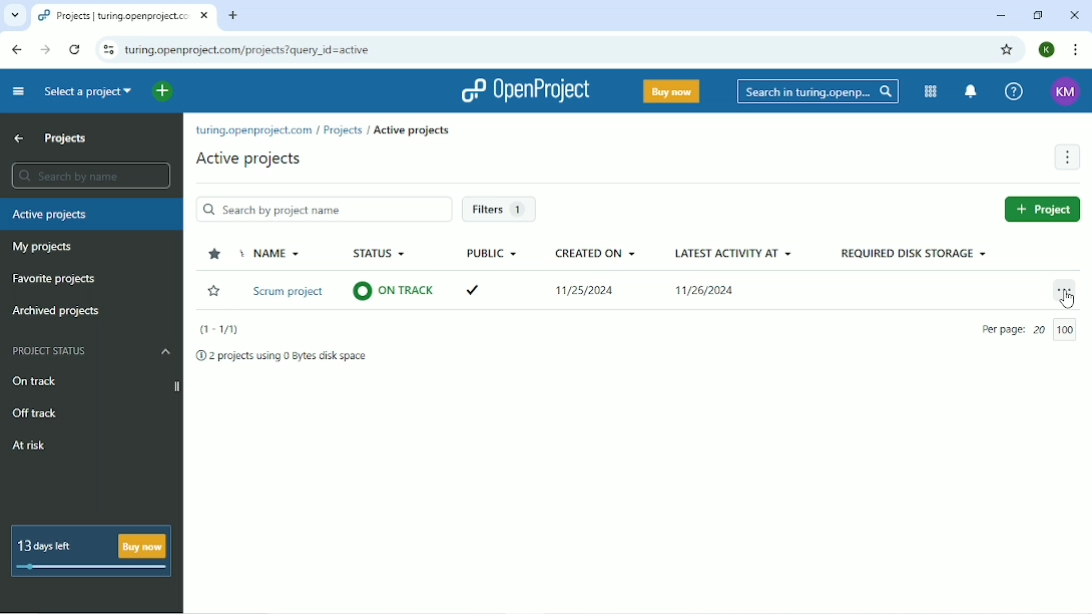 This screenshot has height=614, width=1092. I want to click on Latest activity at, so click(733, 253).